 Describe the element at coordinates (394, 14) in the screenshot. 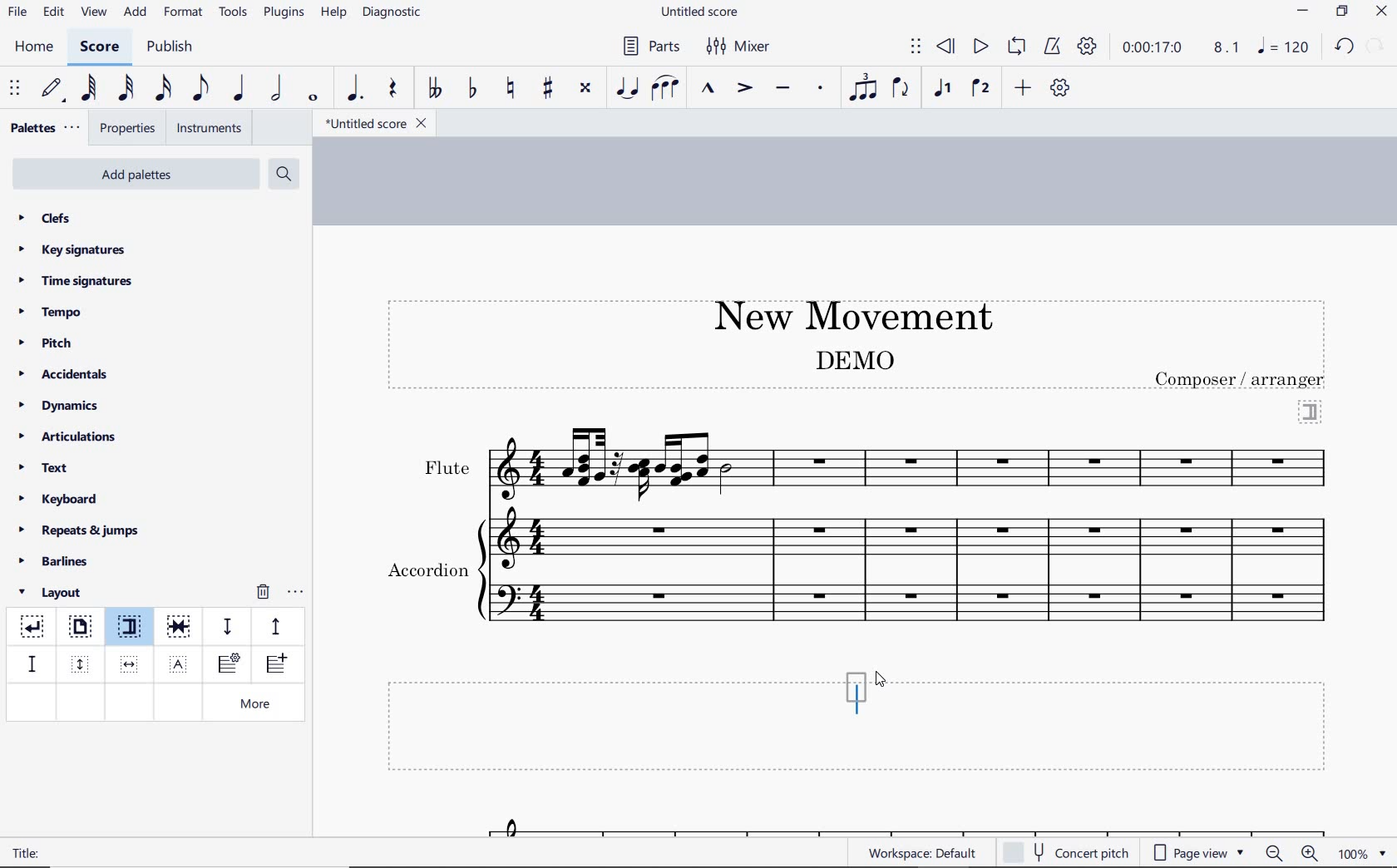

I see `diagnostic` at that location.